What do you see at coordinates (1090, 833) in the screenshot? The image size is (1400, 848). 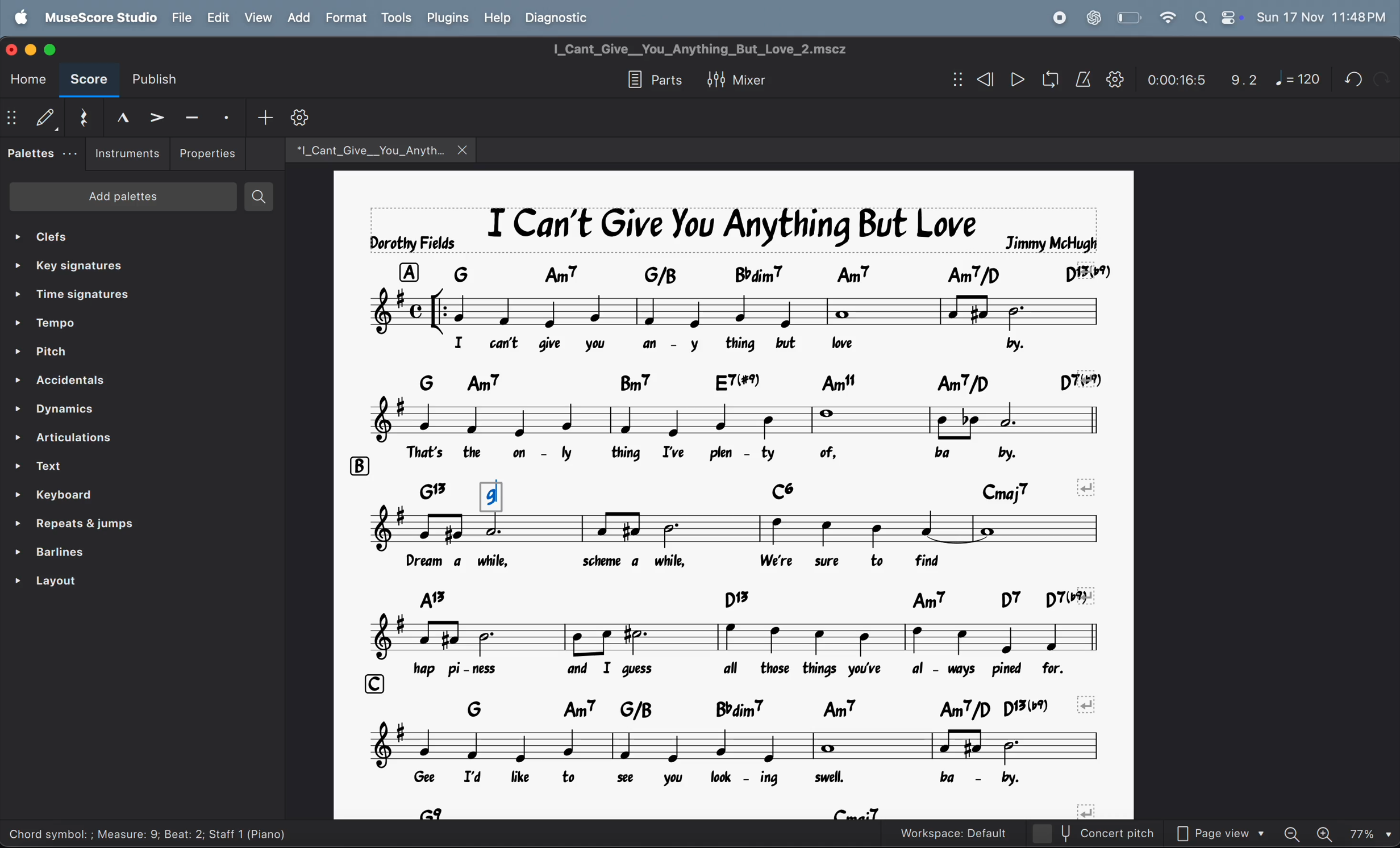 I see `concert pitch` at bounding box center [1090, 833].